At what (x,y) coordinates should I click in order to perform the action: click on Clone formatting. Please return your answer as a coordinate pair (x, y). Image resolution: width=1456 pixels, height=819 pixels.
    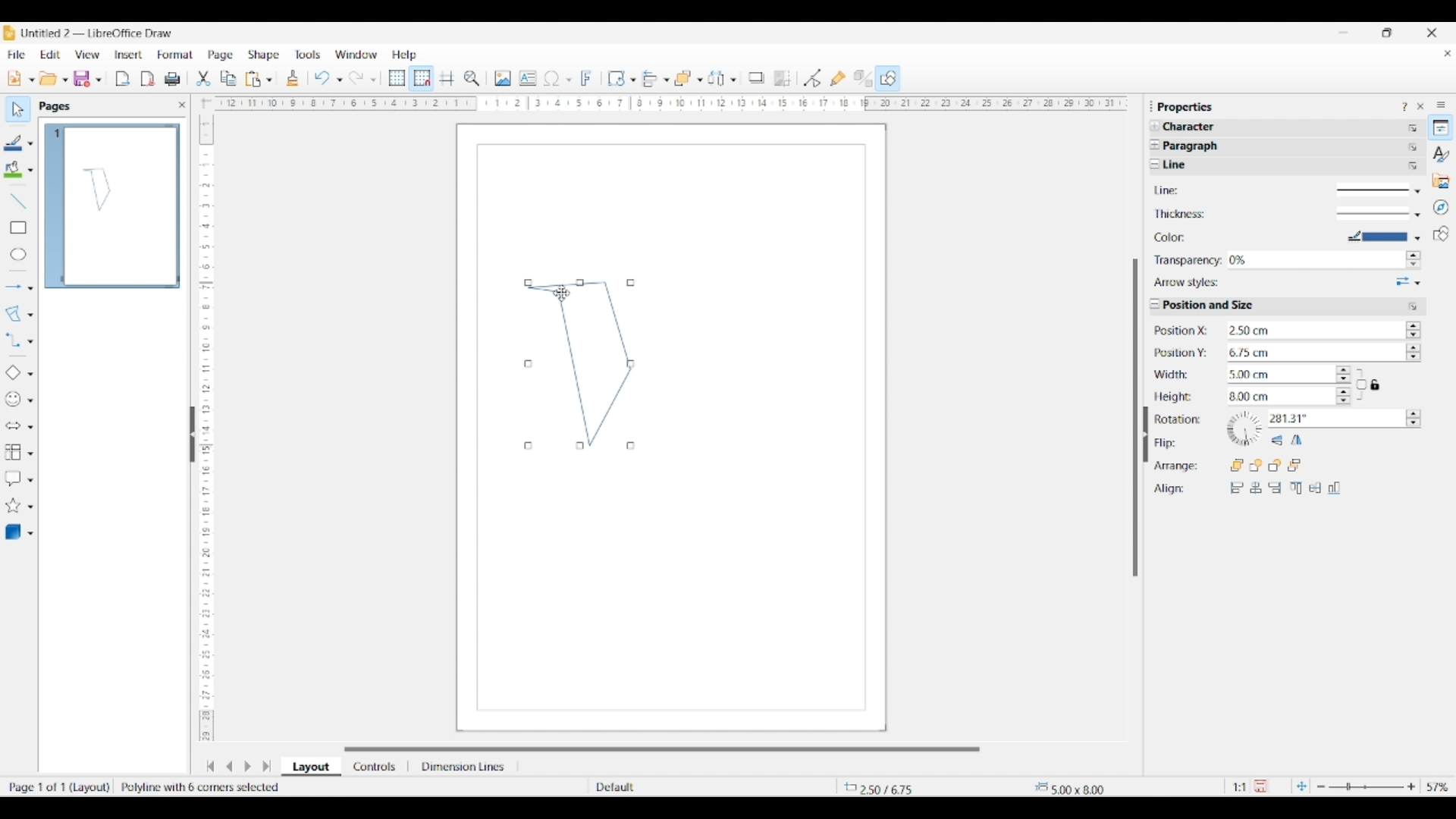
    Looking at the image, I should click on (293, 78).